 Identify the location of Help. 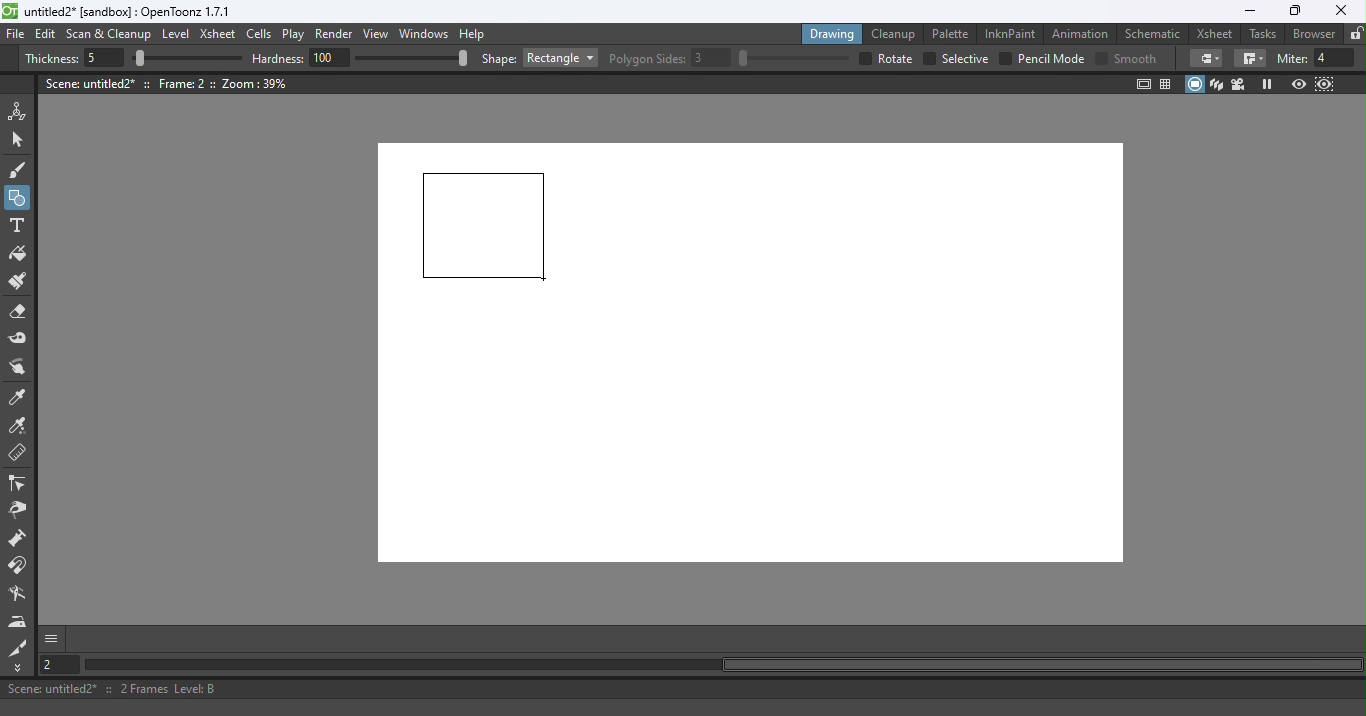
(475, 33).